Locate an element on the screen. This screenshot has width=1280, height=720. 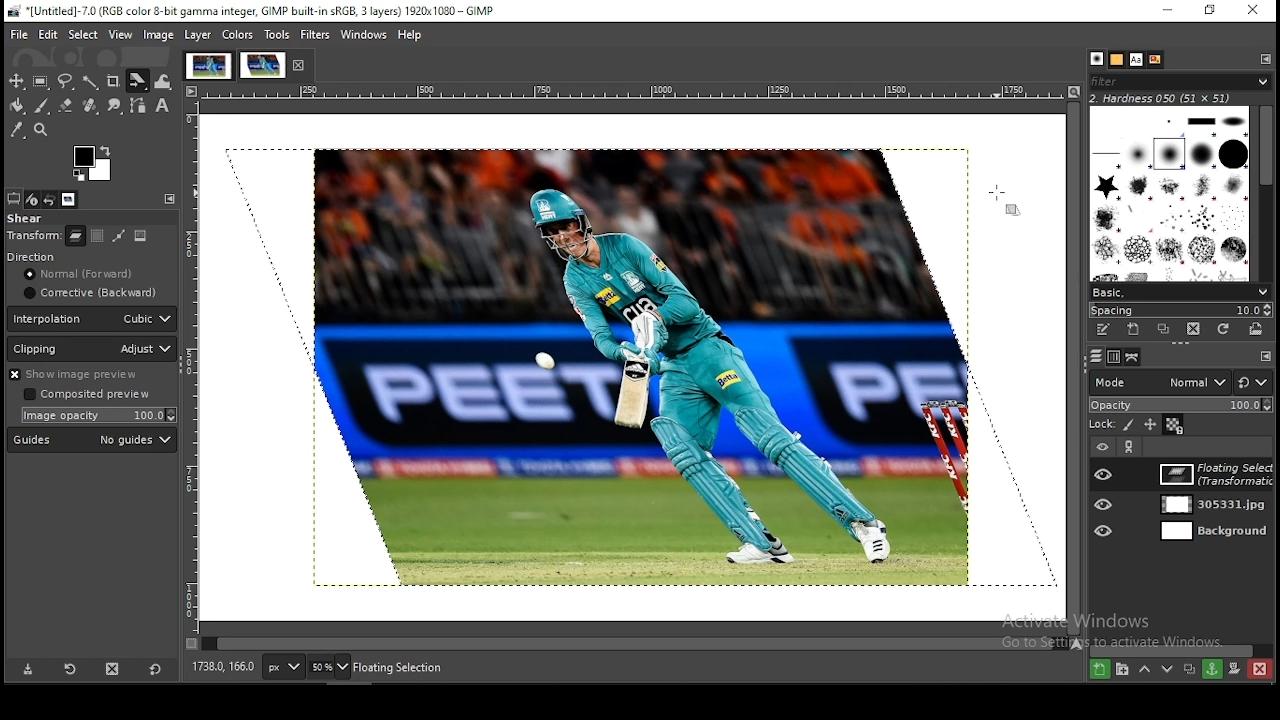
vertical scale is located at coordinates (192, 374).